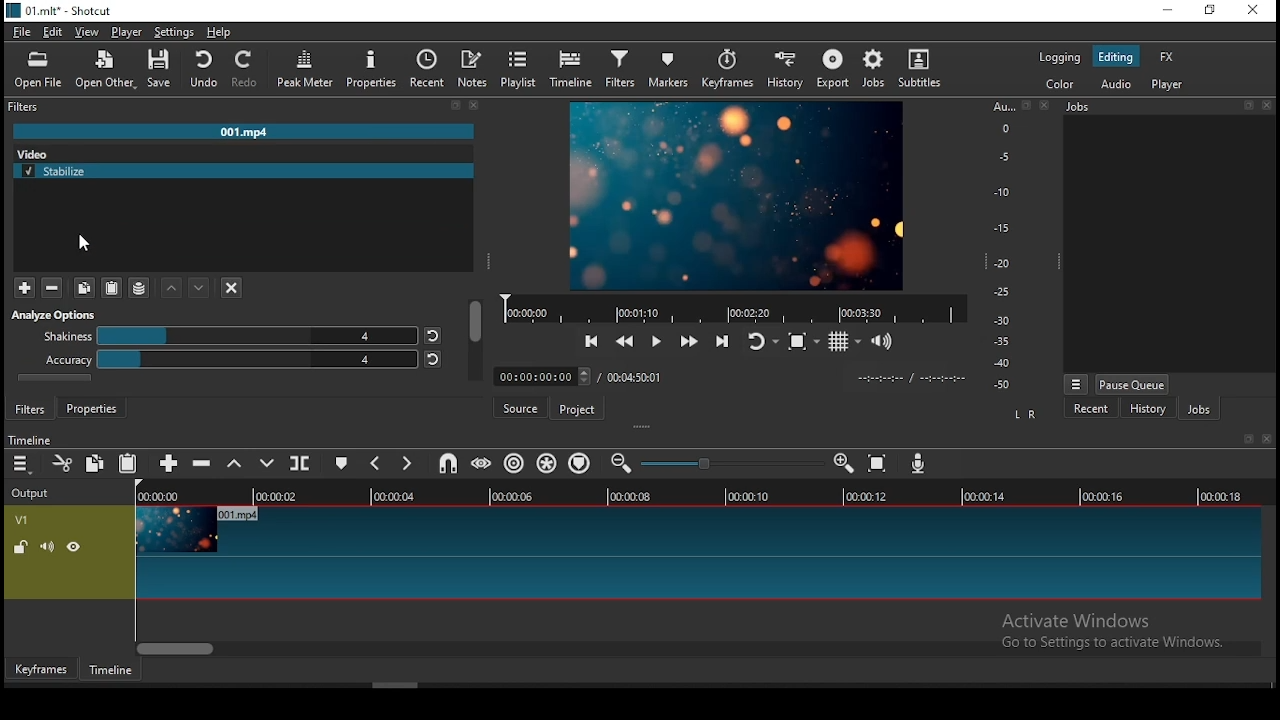  Describe the element at coordinates (1166, 84) in the screenshot. I see `player` at that location.